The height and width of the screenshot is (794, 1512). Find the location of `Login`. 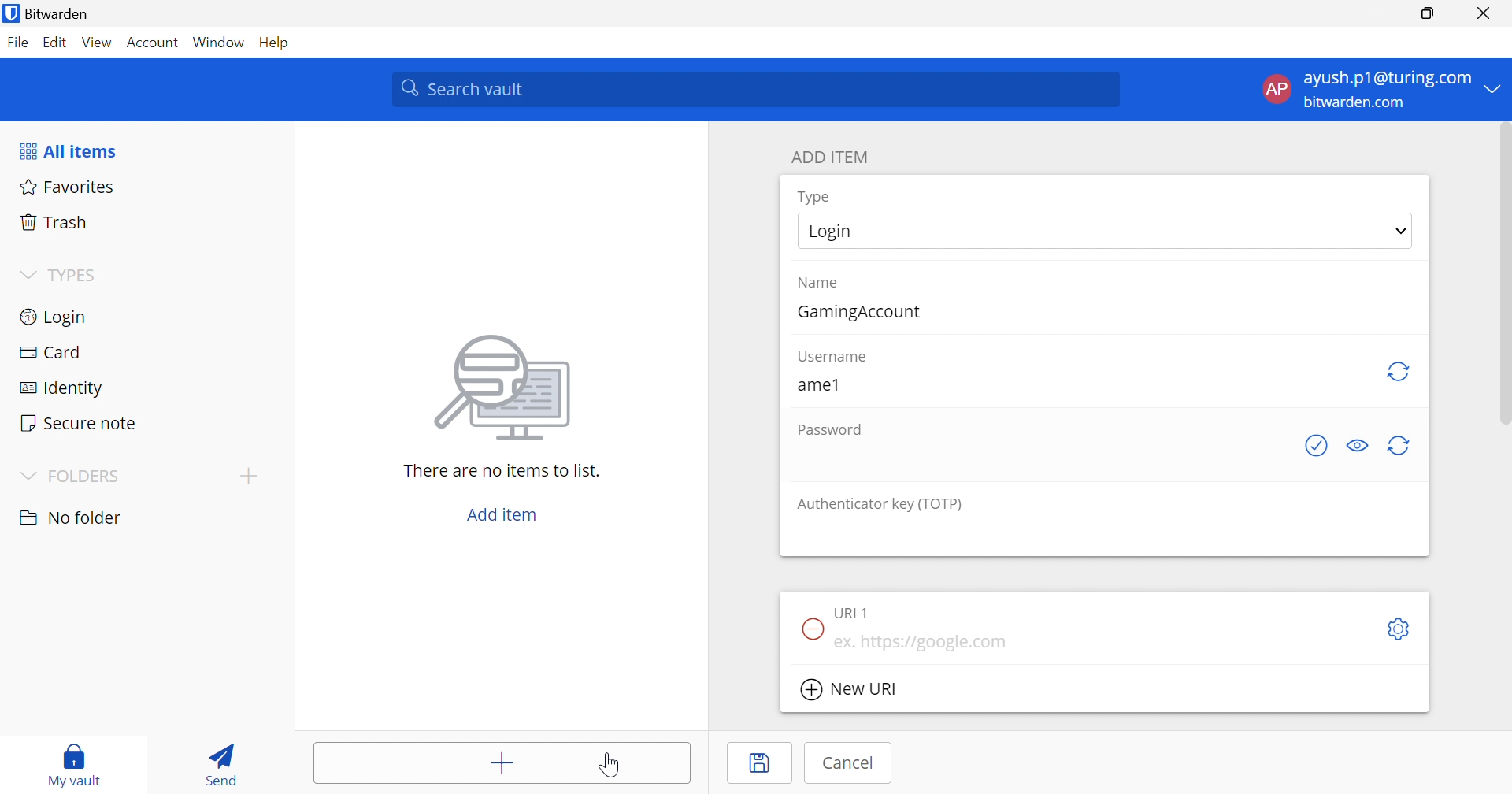

Login is located at coordinates (55, 317).